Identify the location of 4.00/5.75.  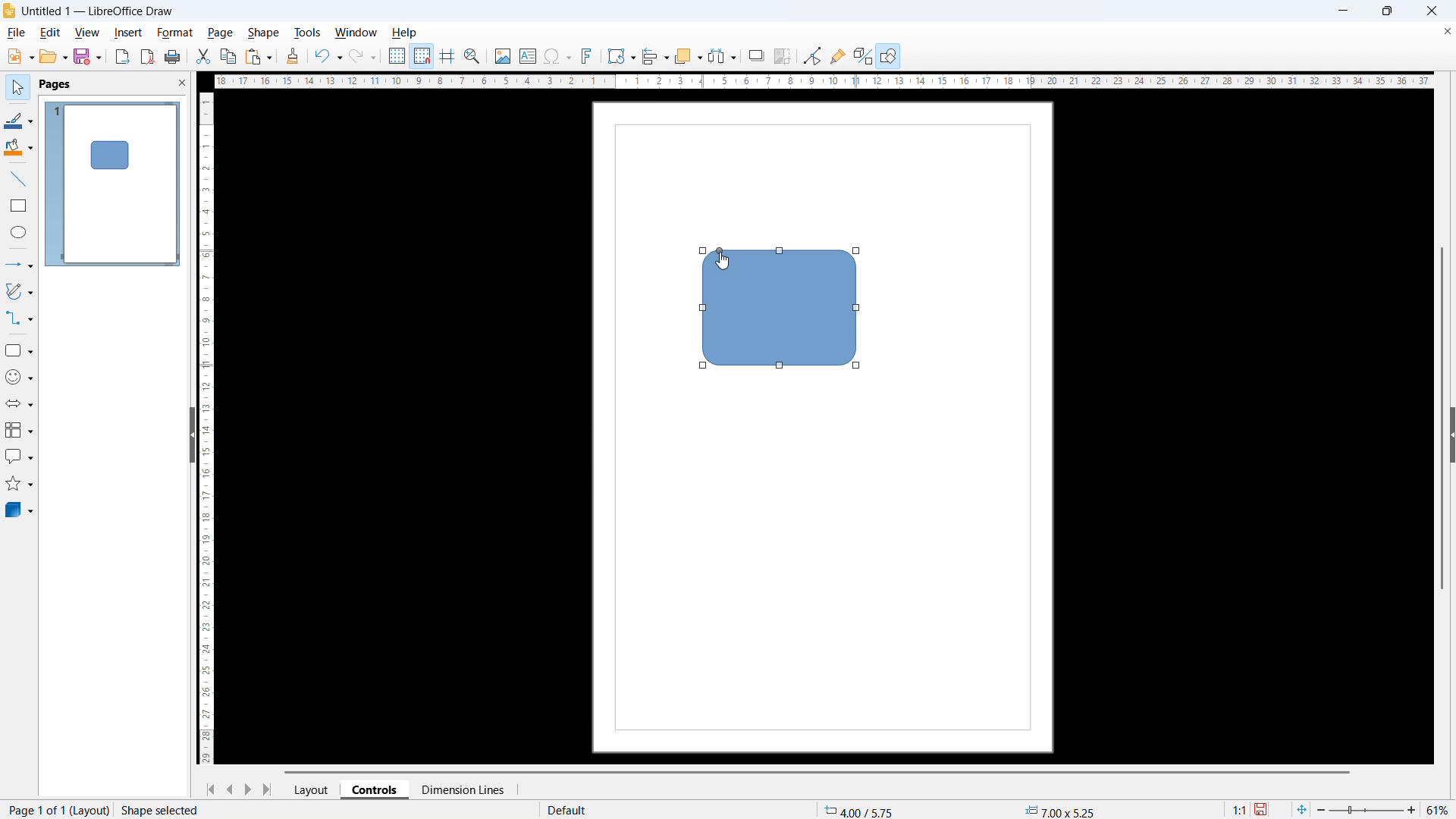
(861, 809).